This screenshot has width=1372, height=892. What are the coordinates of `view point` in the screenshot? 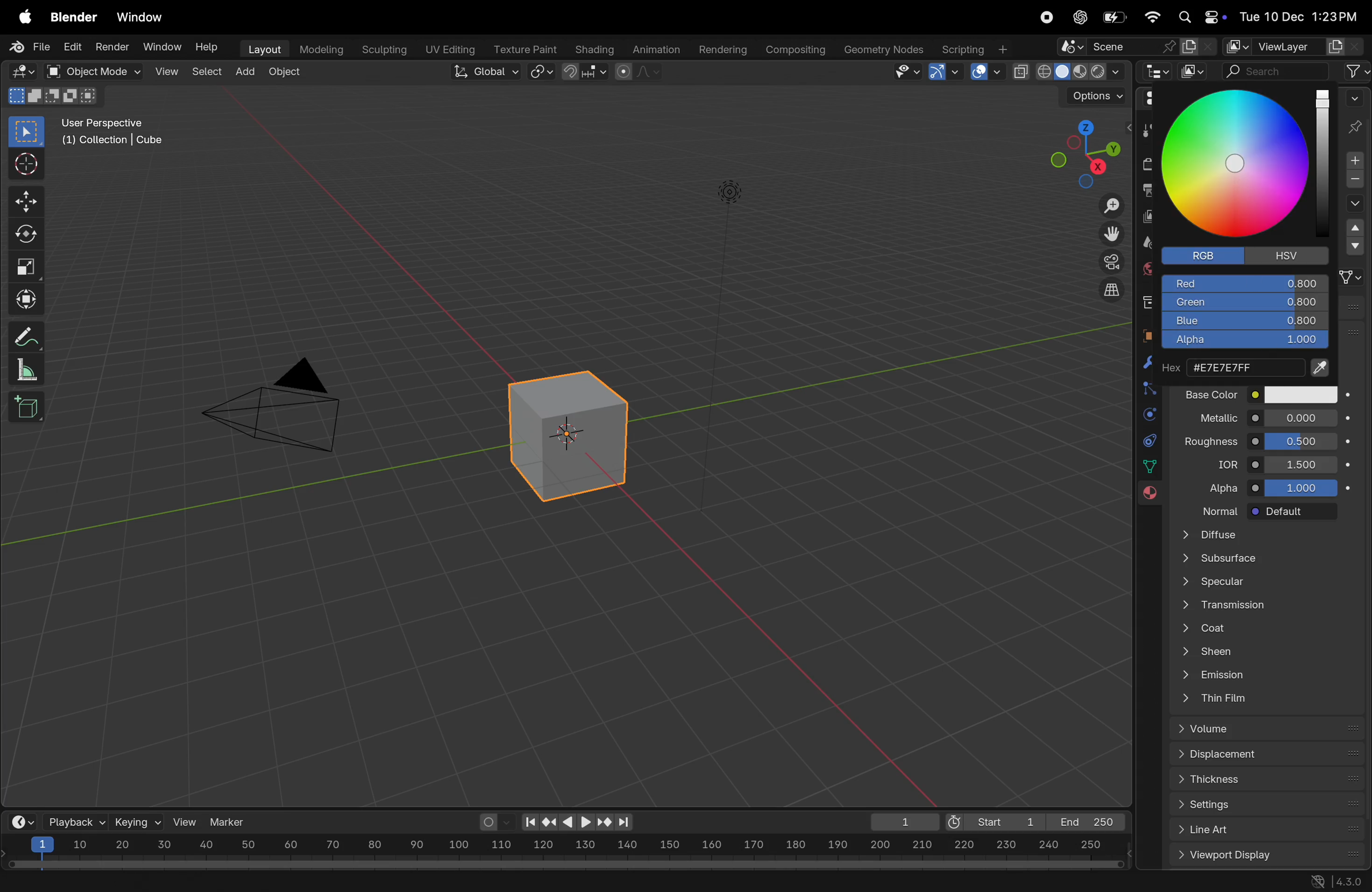 It's located at (1078, 153).